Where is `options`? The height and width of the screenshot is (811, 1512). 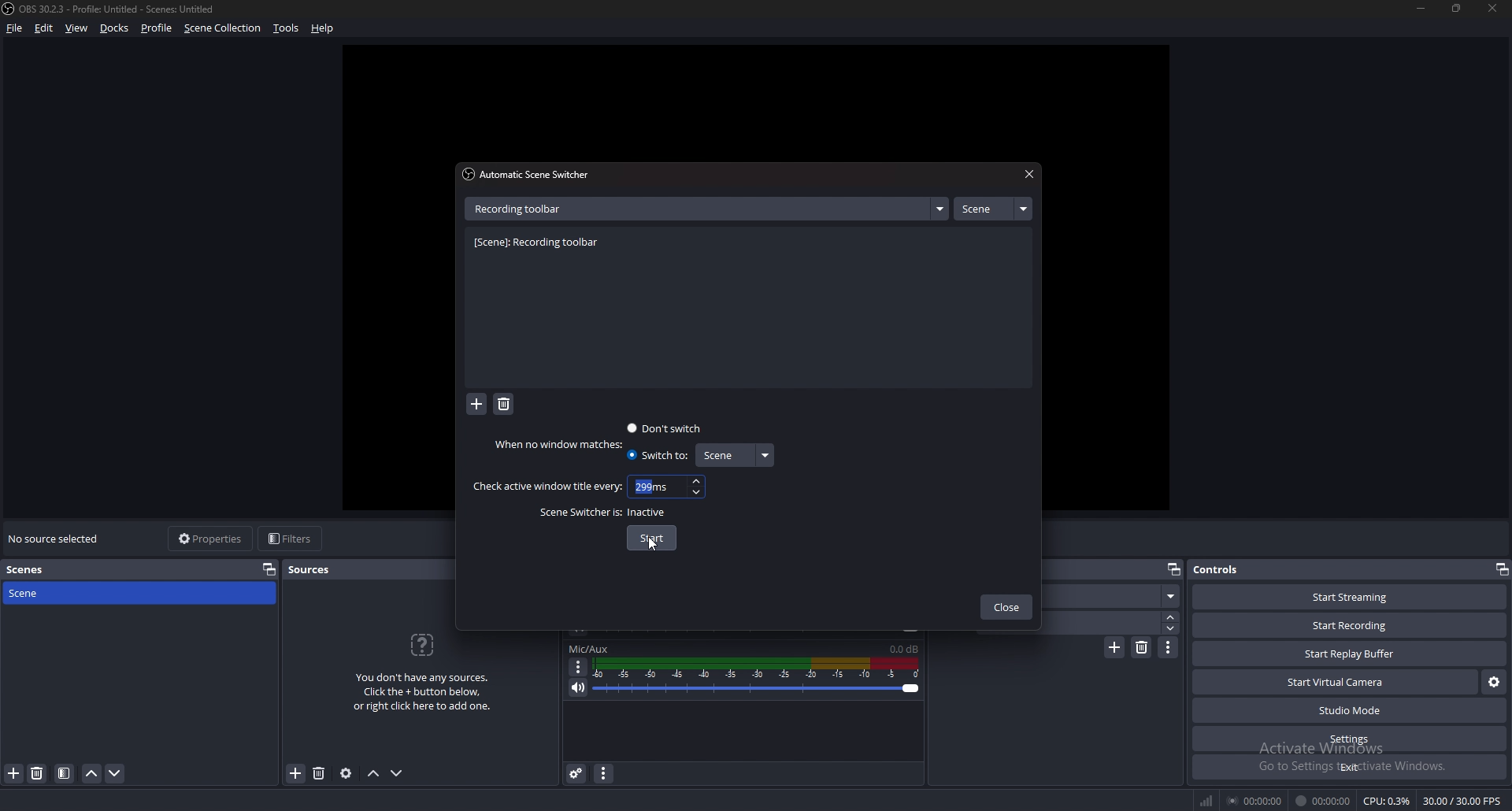
options is located at coordinates (579, 667).